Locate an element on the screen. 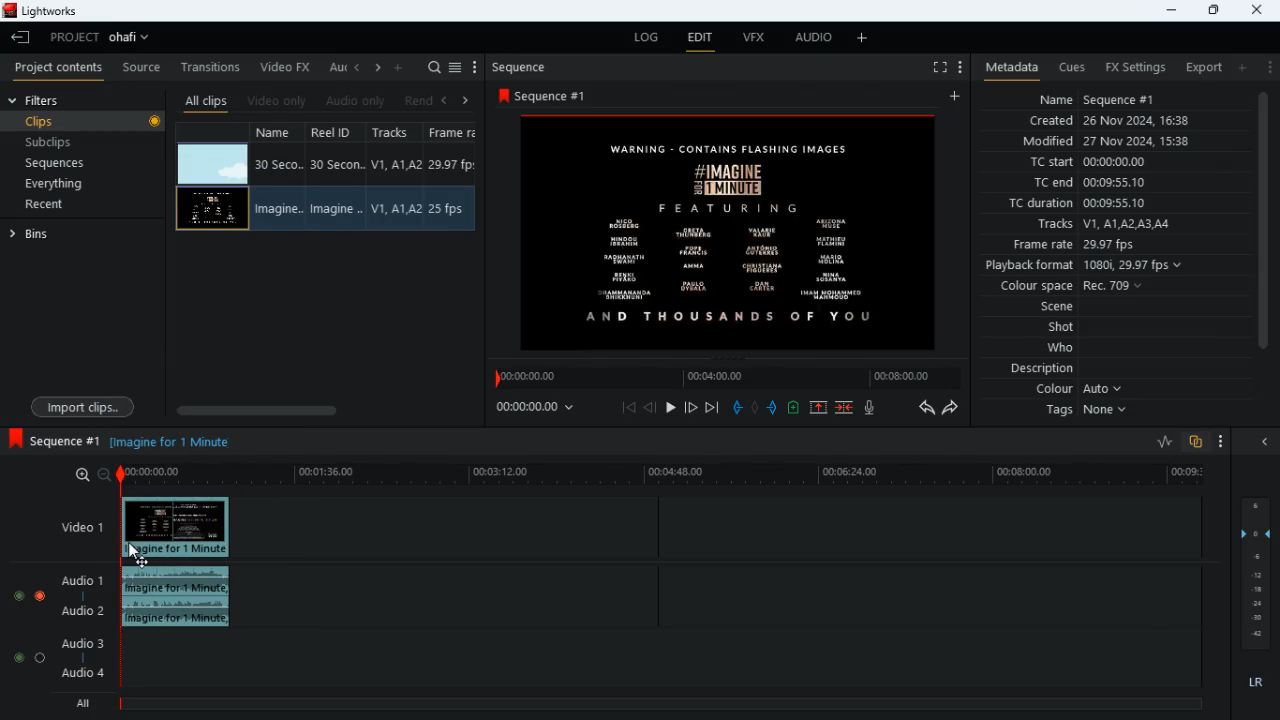 This screenshot has height=720, width=1280. all timeline track is located at coordinates (665, 699).